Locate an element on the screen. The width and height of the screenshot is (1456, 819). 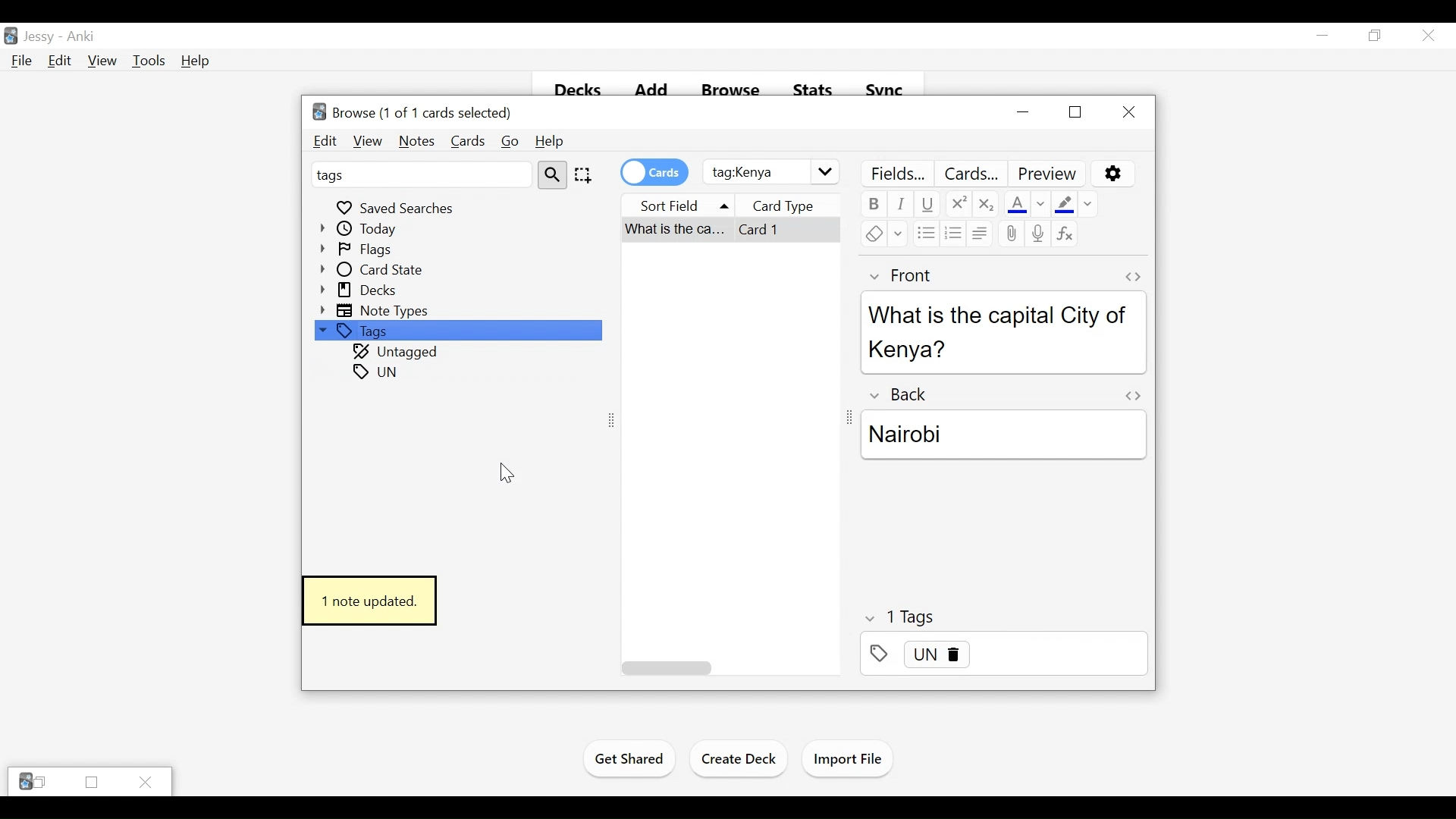
Cursor is located at coordinates (503, 476).